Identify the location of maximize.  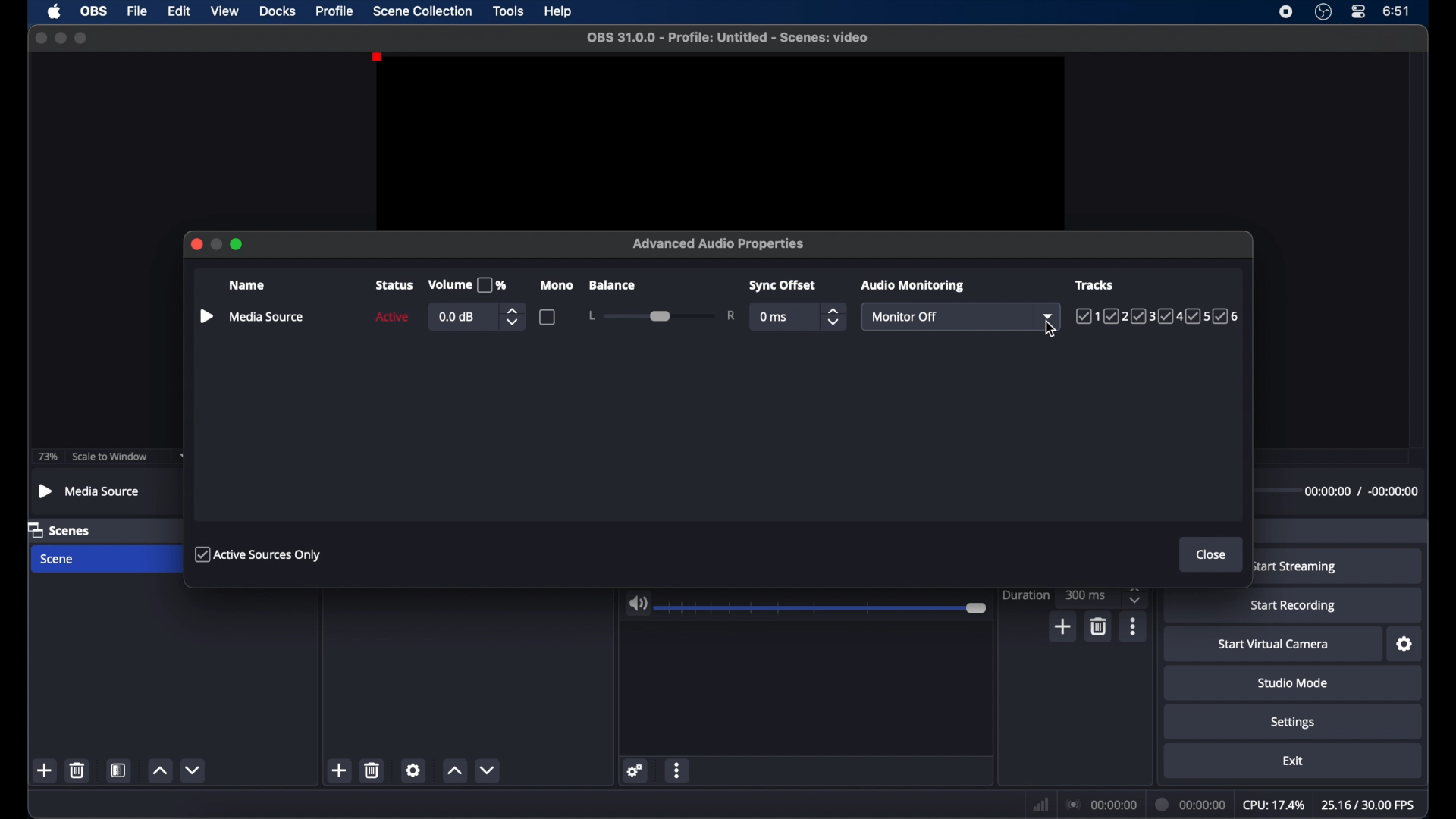
(82, 38).